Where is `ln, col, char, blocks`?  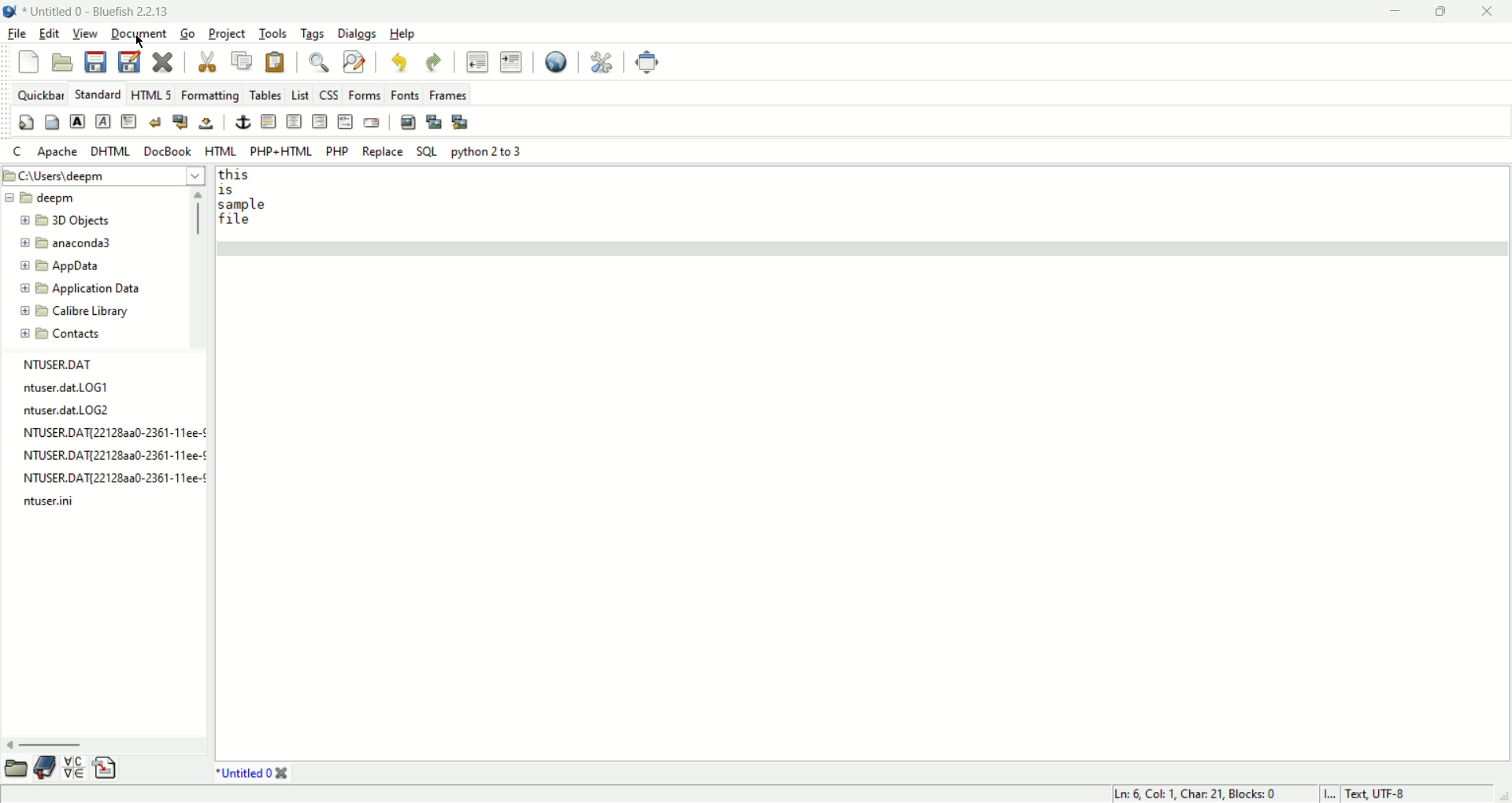 ln, col, char, blocks is located at coordinates (1190, 794).